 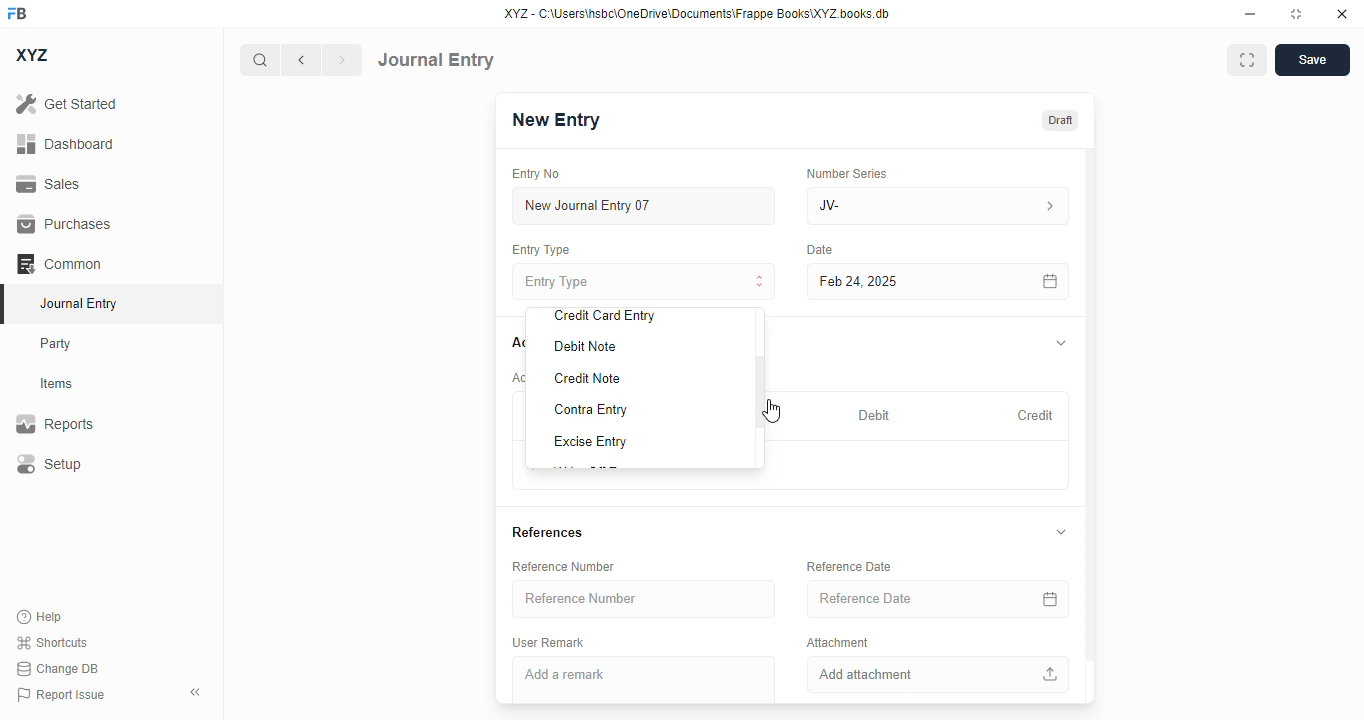 What do you see at coordinates (52, 642) in the screenshot?
I see `shortcuts` at bounding box center [52, 642].